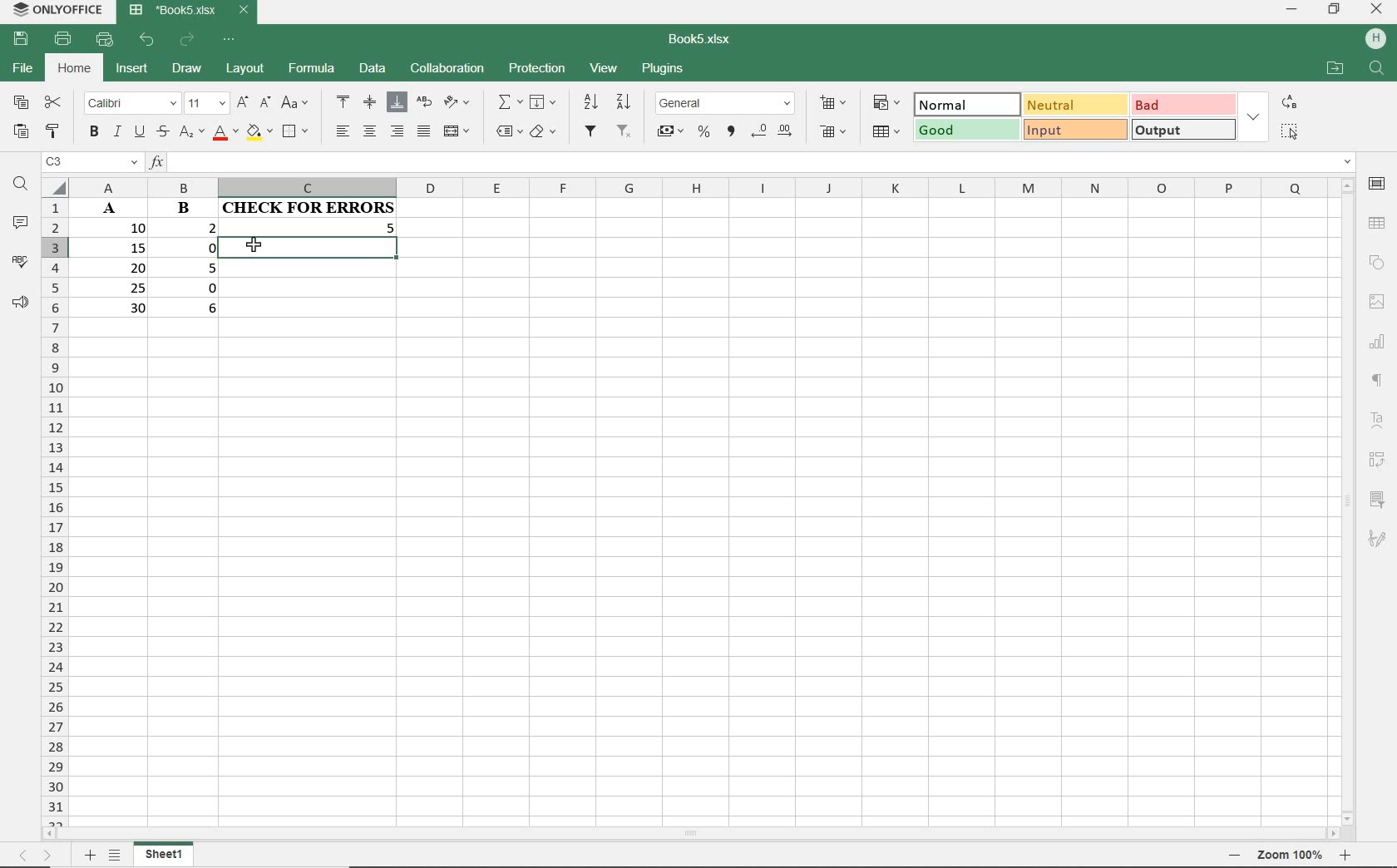  I want to click on LAYOUT, so click(245, 72).